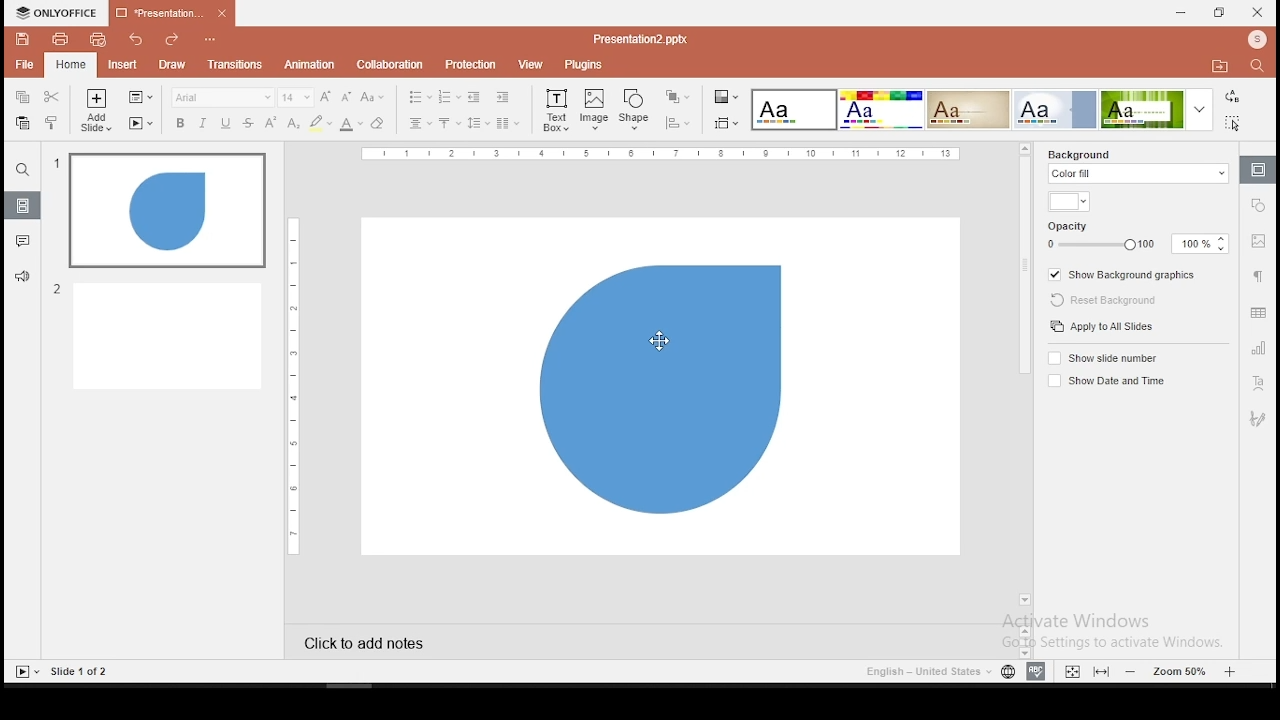  Describe the element at coordinates (27, 672) in the screenshot. I see `start slideshow` at that location.